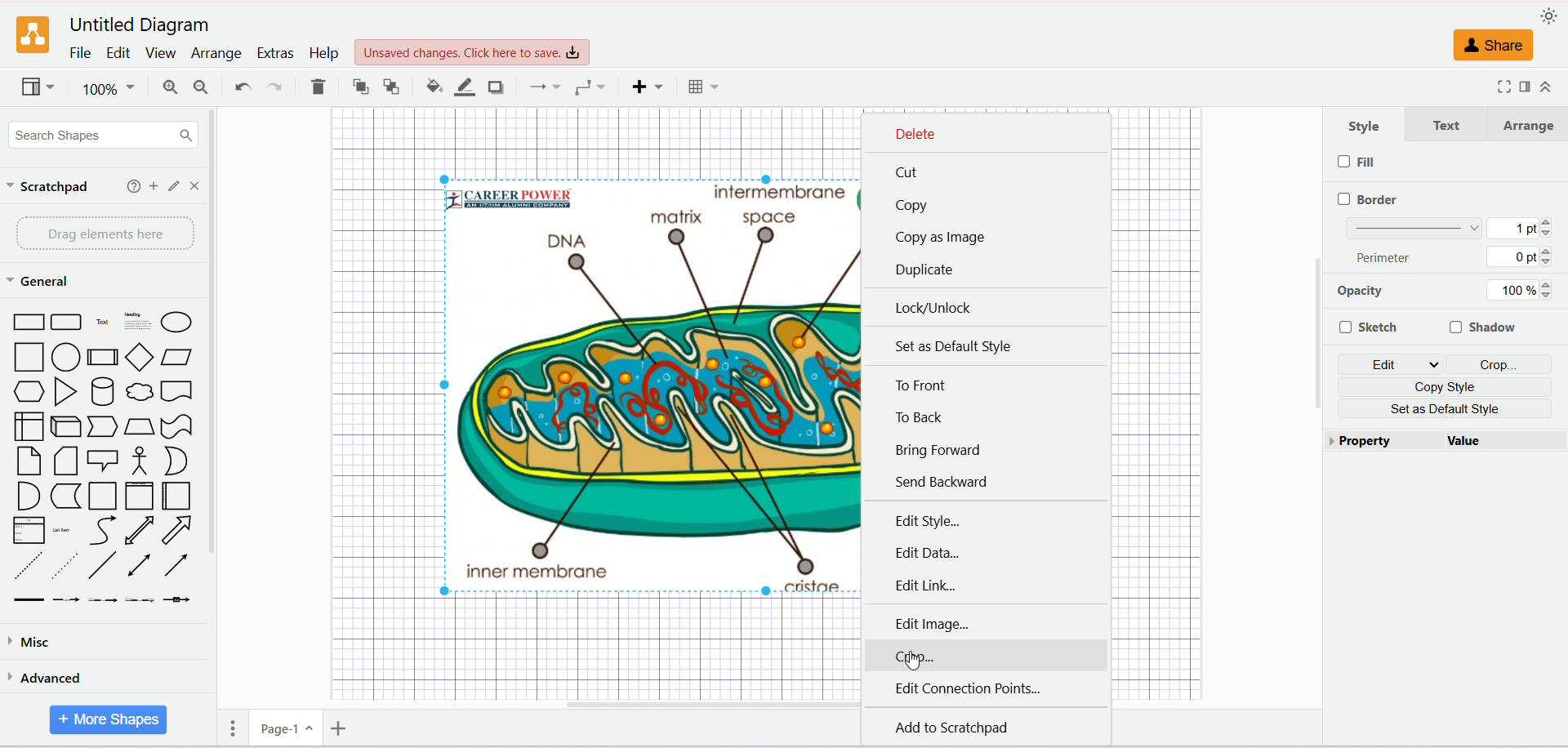 This screenshot has width=1568, height=748. What do you see at coordinates (178, 461) in the screenshot?
I see `Or` at bounding box center [178, 461].